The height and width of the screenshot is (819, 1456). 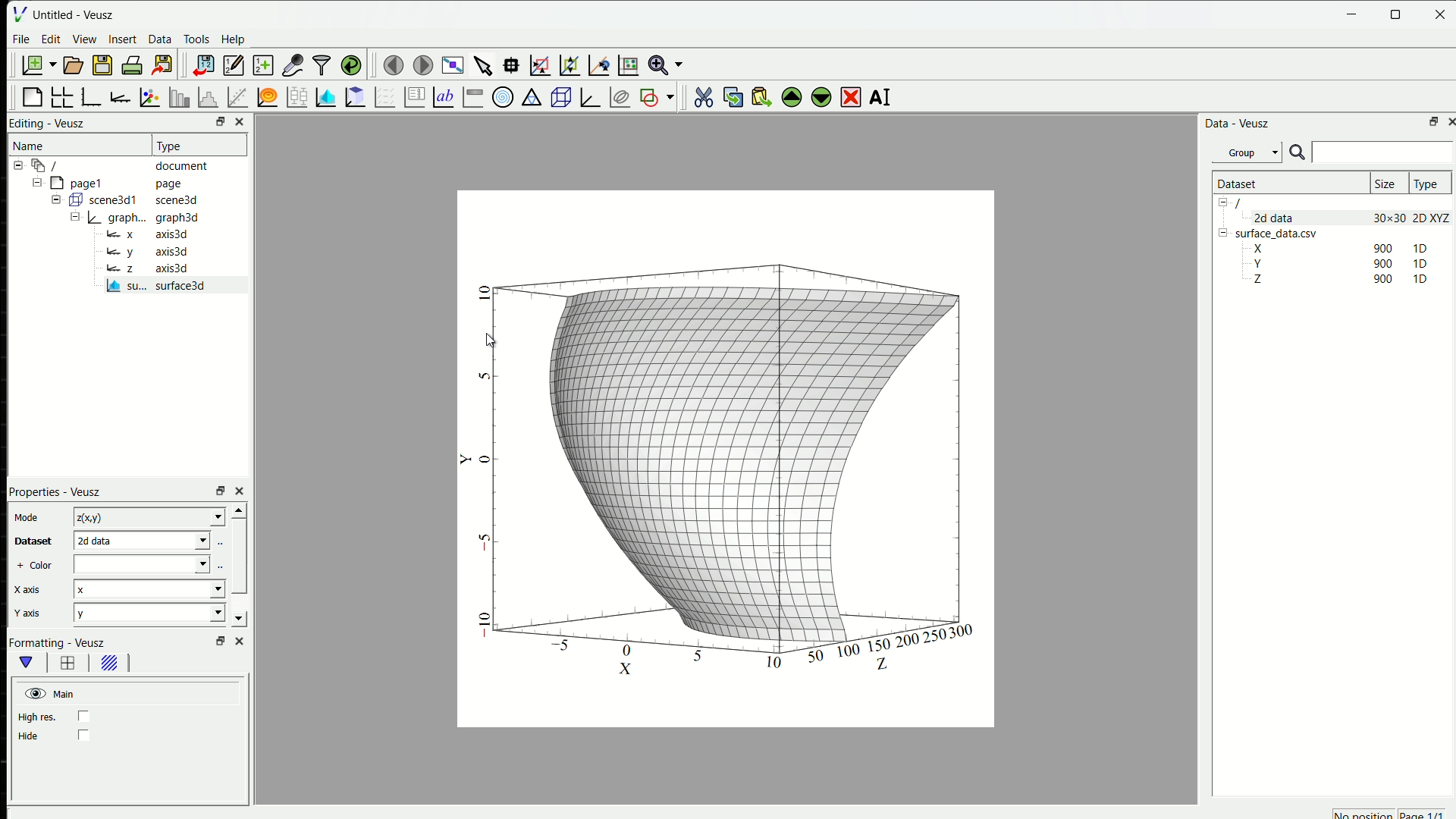 I want to click on Type, so click(x=1427, y=184).